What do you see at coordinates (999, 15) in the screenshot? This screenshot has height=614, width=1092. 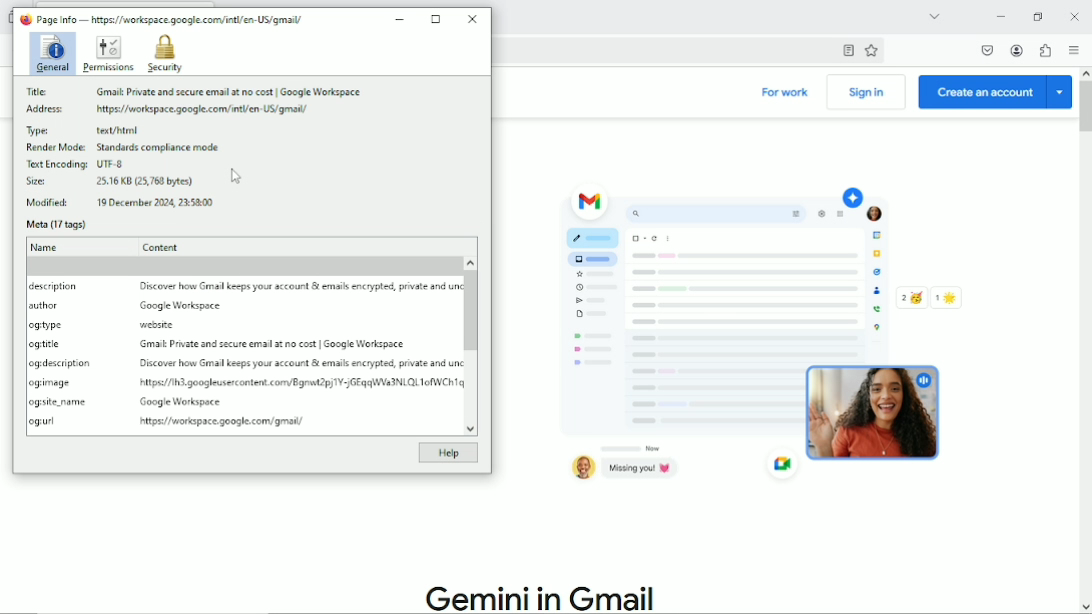 I see `Minimize` at bounding box center [999, 15].